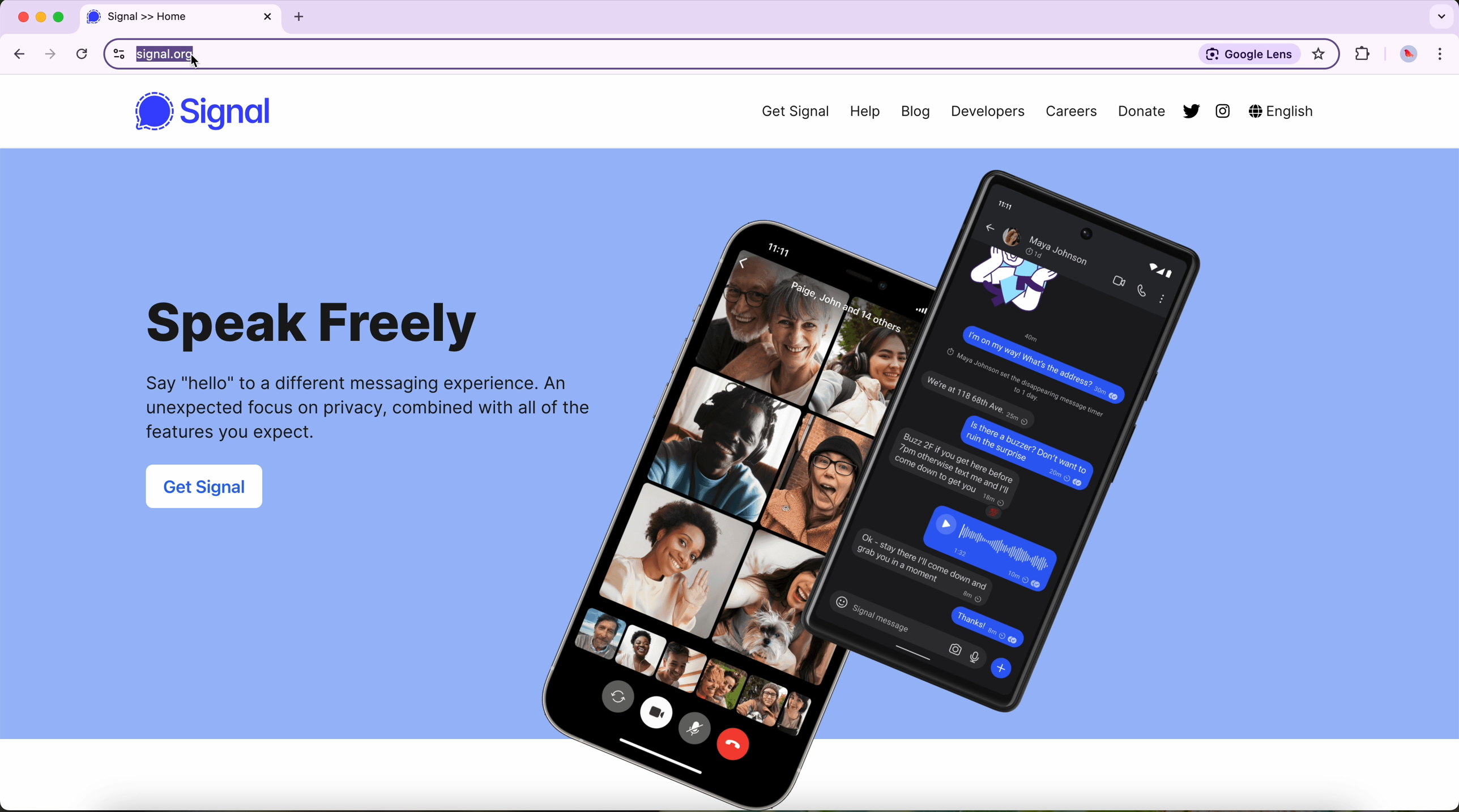  I want to click on twitter, so click(1189, 110).